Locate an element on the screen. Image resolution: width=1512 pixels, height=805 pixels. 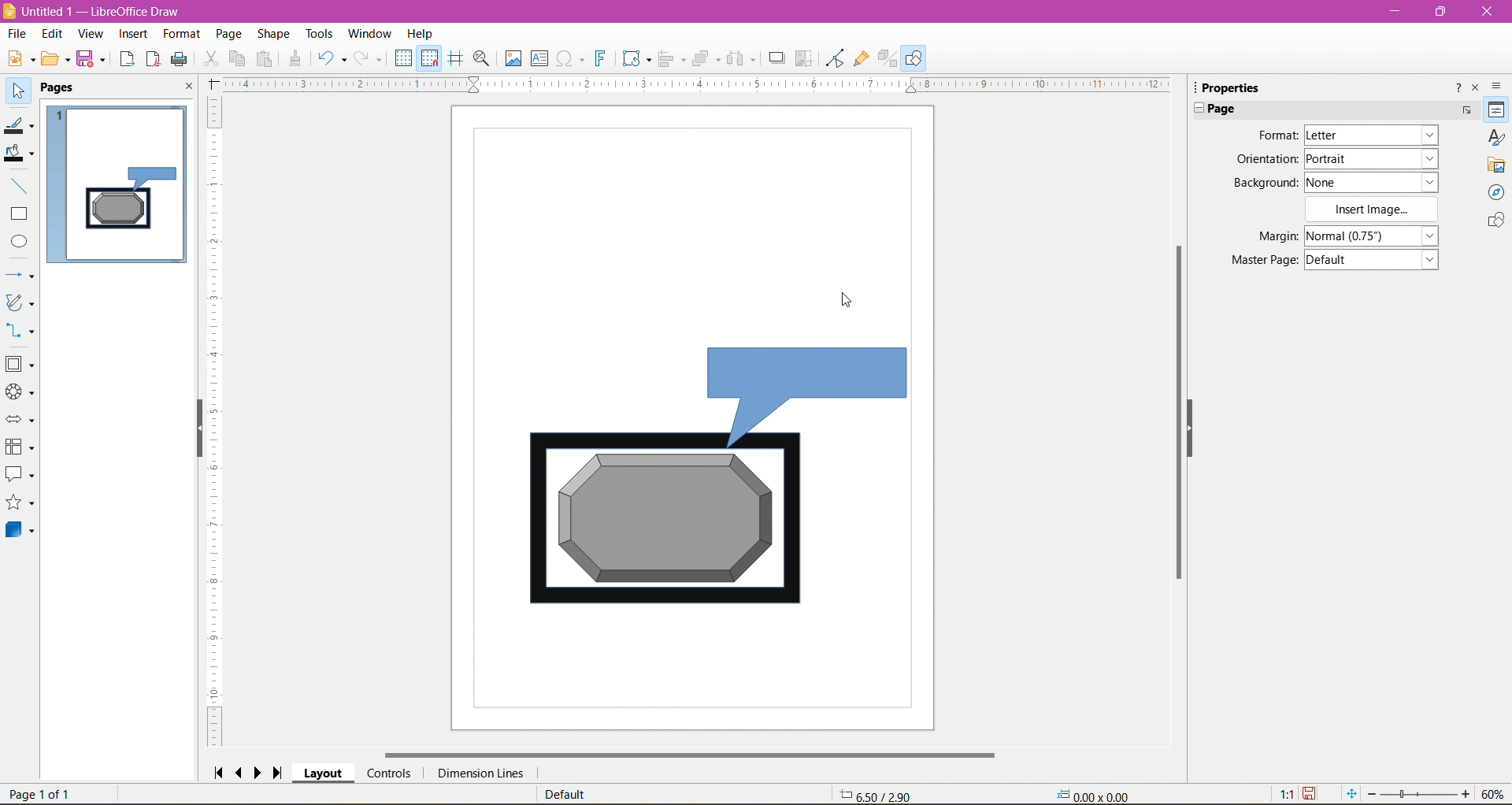
Zoom Out is located at coordinates (1371, 793).